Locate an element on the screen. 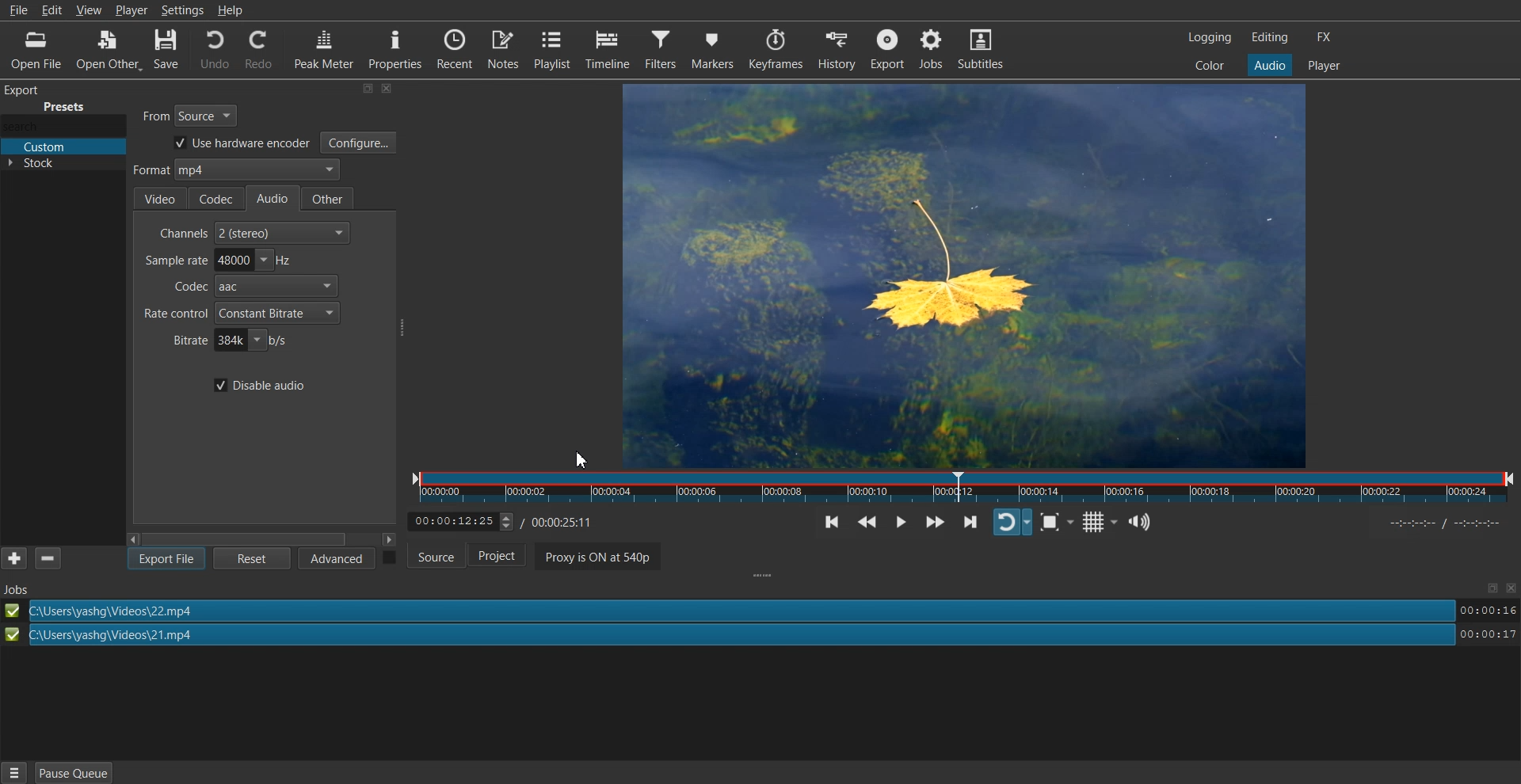  Bitrate is located at coordinates (230, 341).